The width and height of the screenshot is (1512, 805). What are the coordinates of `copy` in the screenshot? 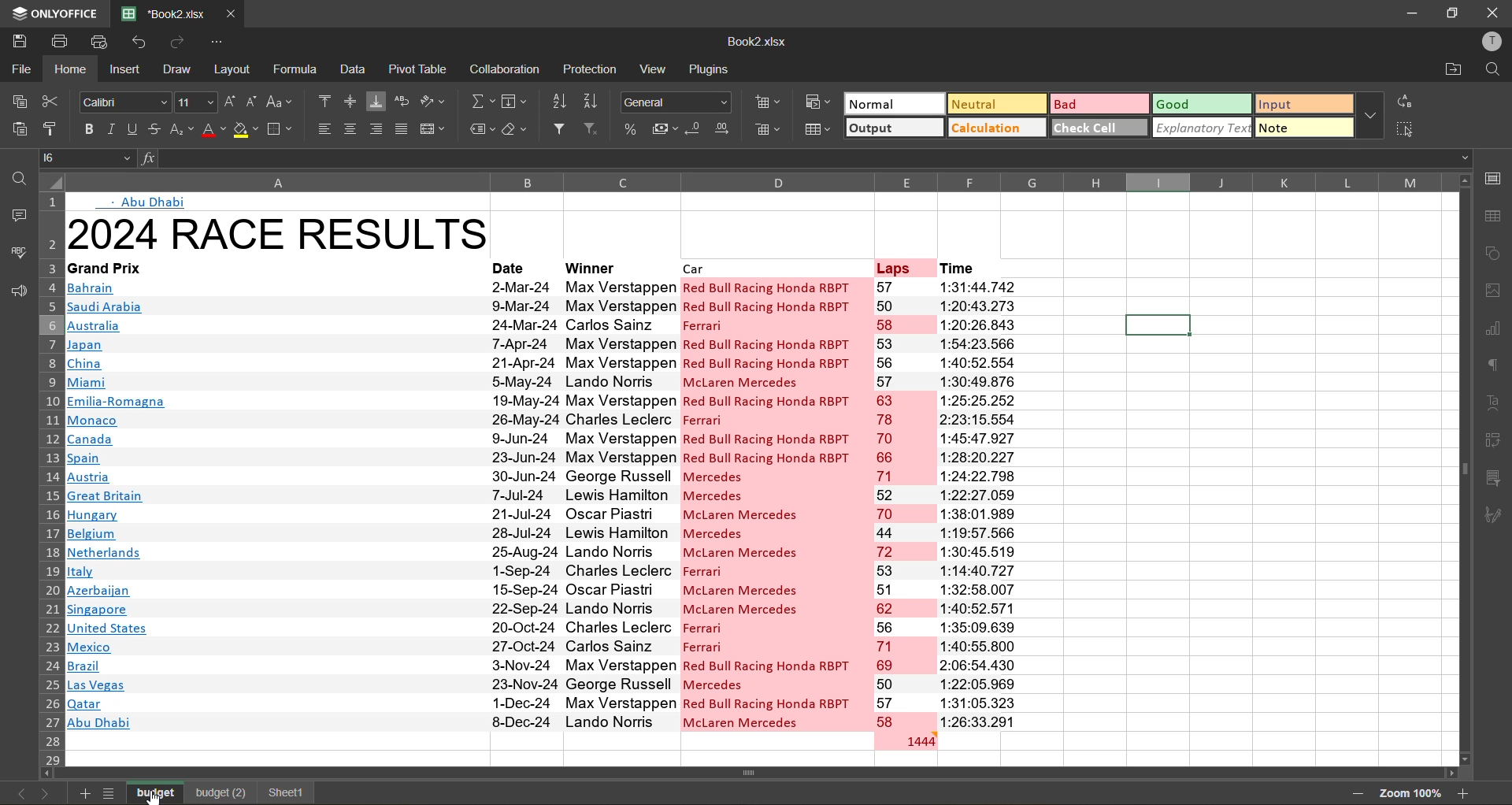 It's located at (20, 102).